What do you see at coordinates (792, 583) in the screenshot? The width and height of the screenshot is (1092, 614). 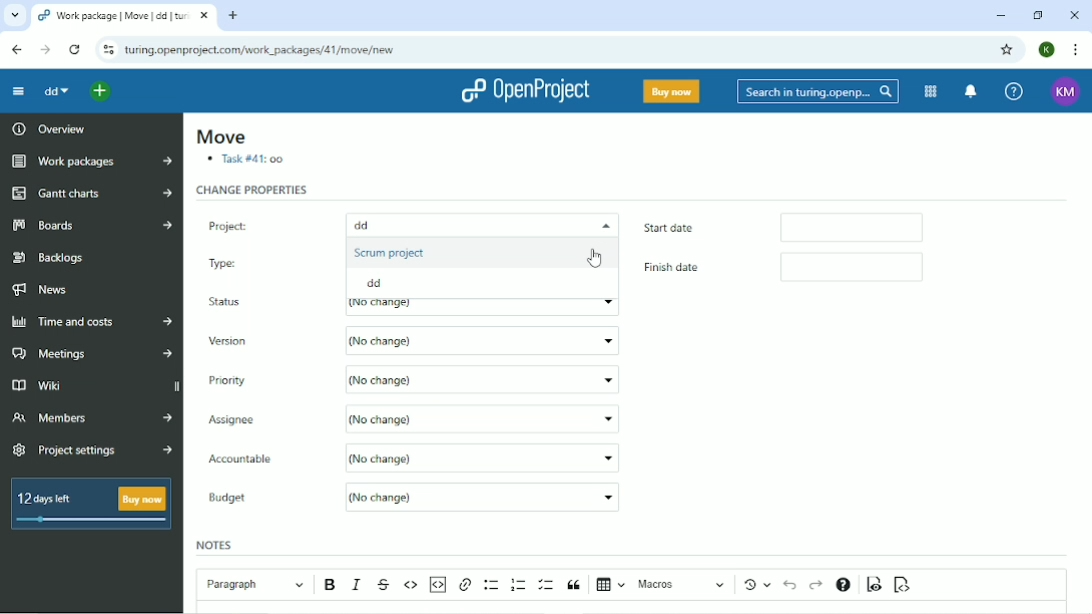 I see `Udo` at bounding box center [792, 583].